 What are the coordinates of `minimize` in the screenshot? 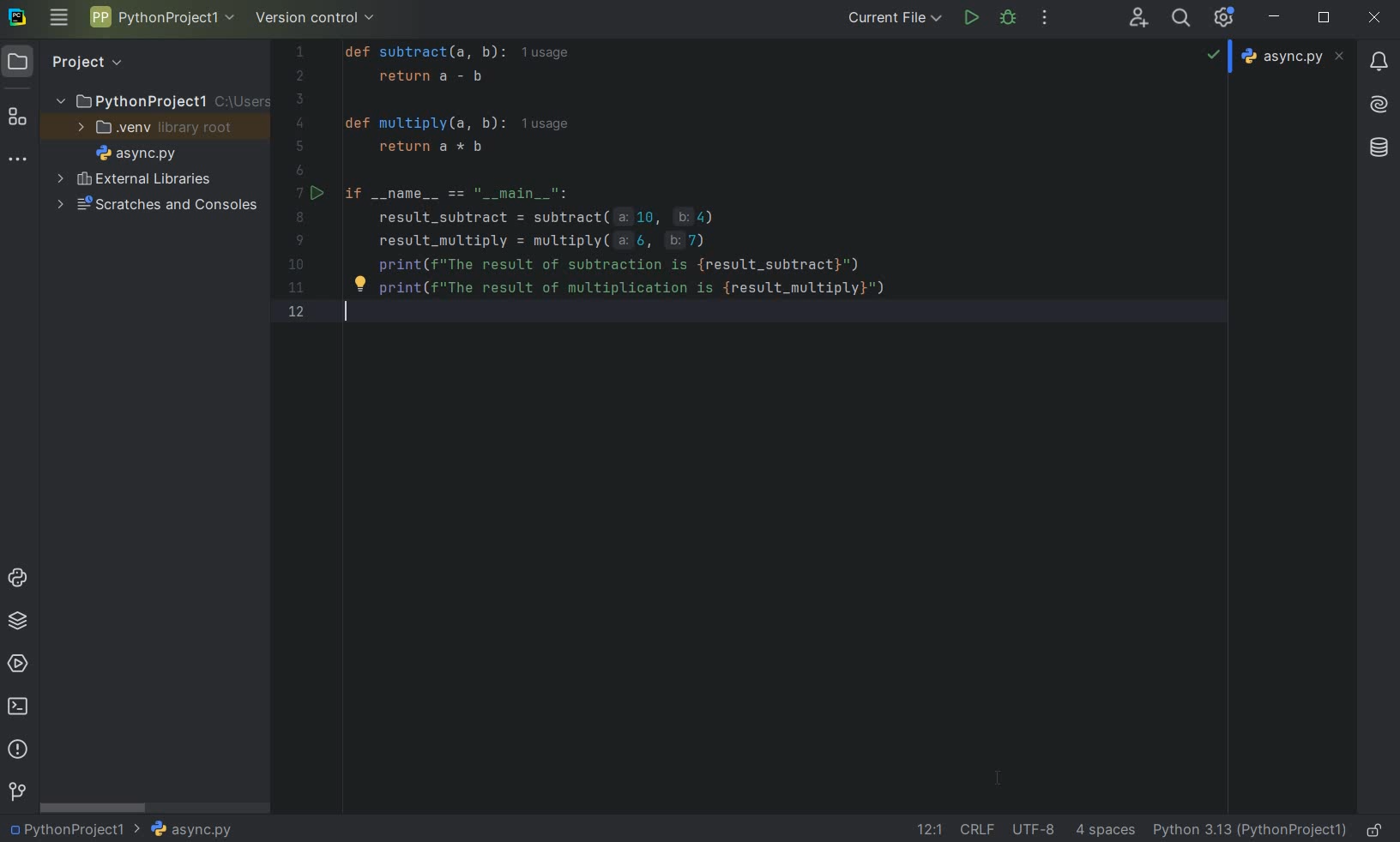 It's located at (1275, 16).